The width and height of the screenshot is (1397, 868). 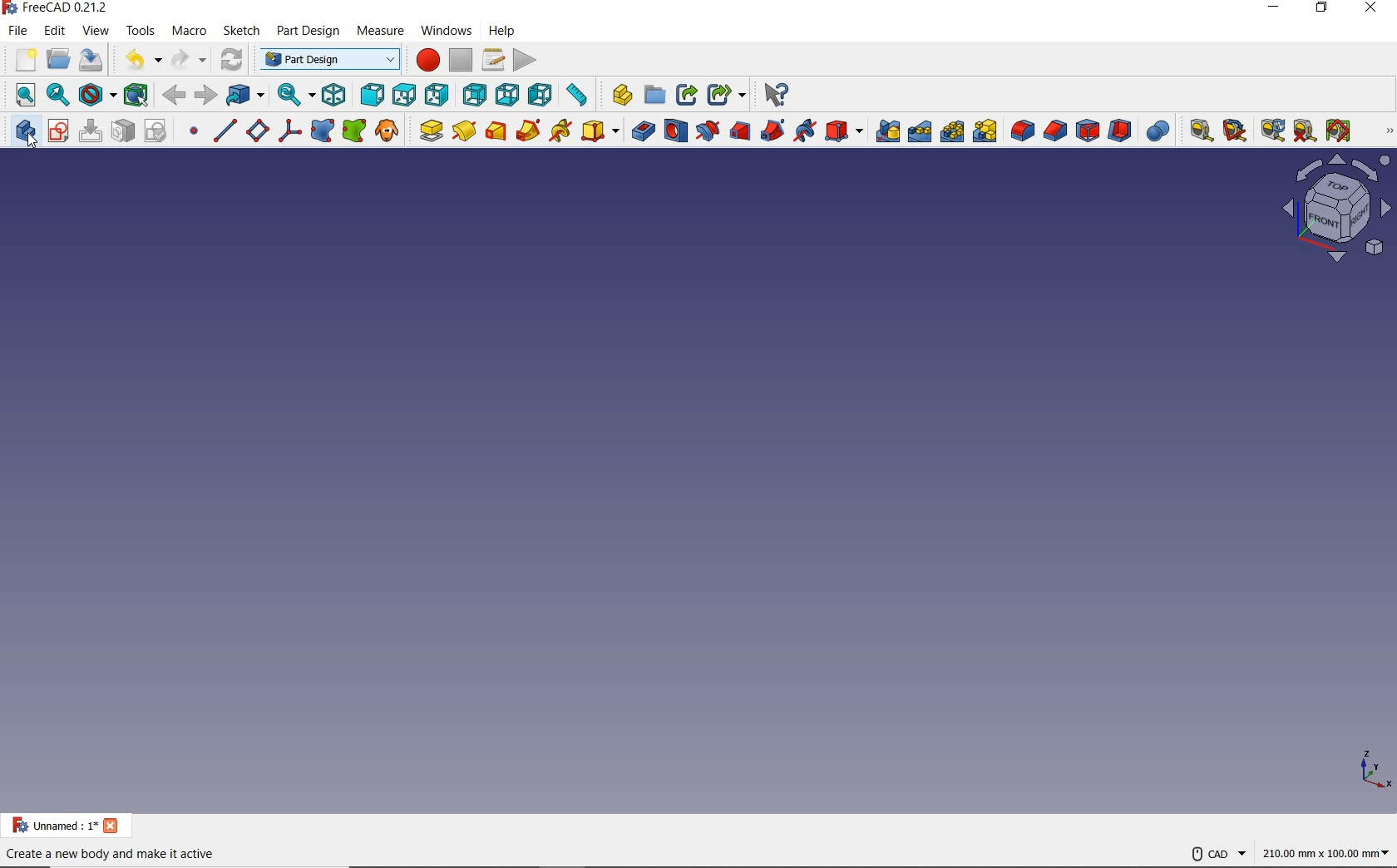 I want to click on bottom, so click(x=506, y=96).